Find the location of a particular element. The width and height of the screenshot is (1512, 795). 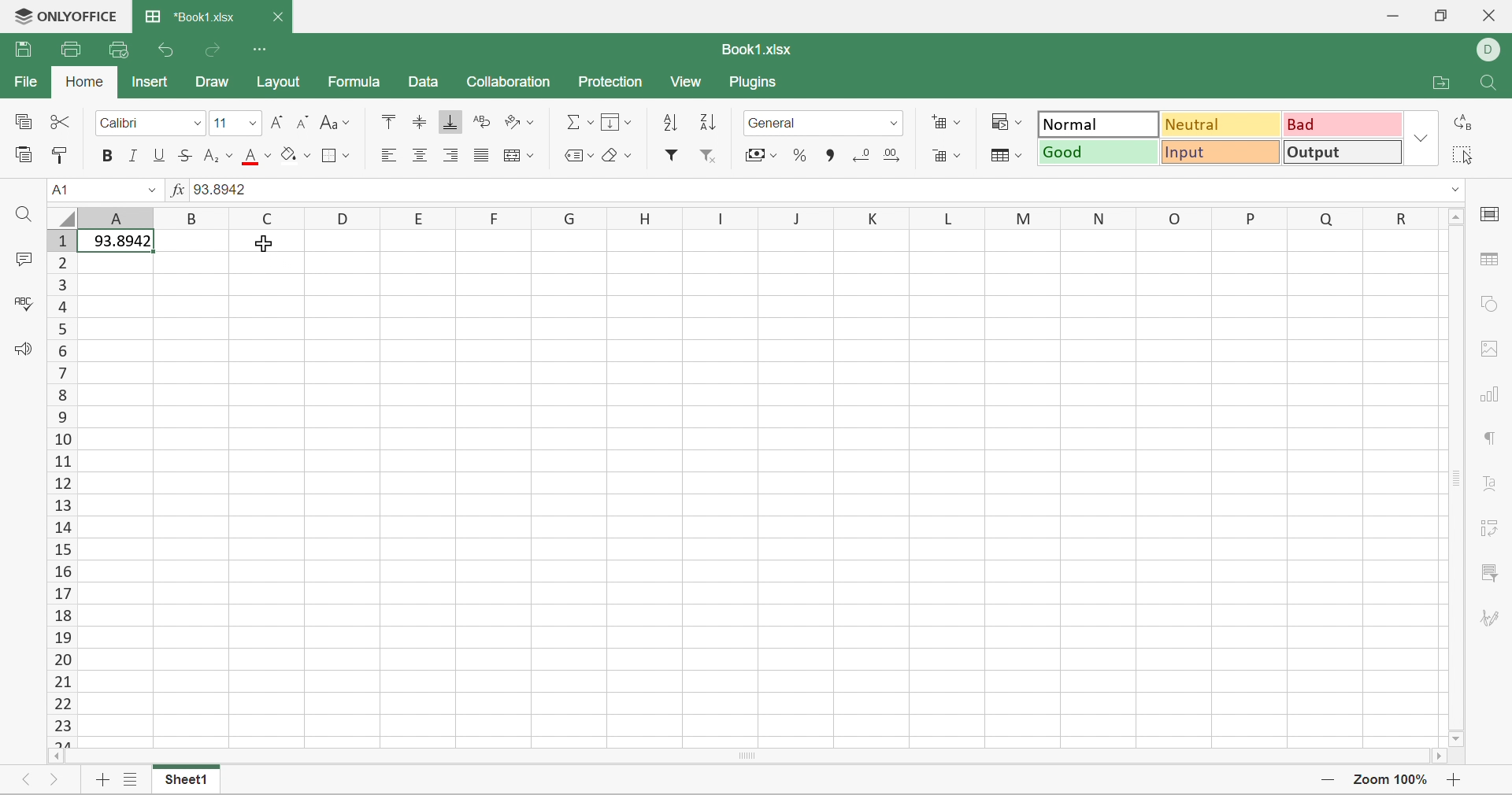

Align Right is located at coordinates (451, 153).